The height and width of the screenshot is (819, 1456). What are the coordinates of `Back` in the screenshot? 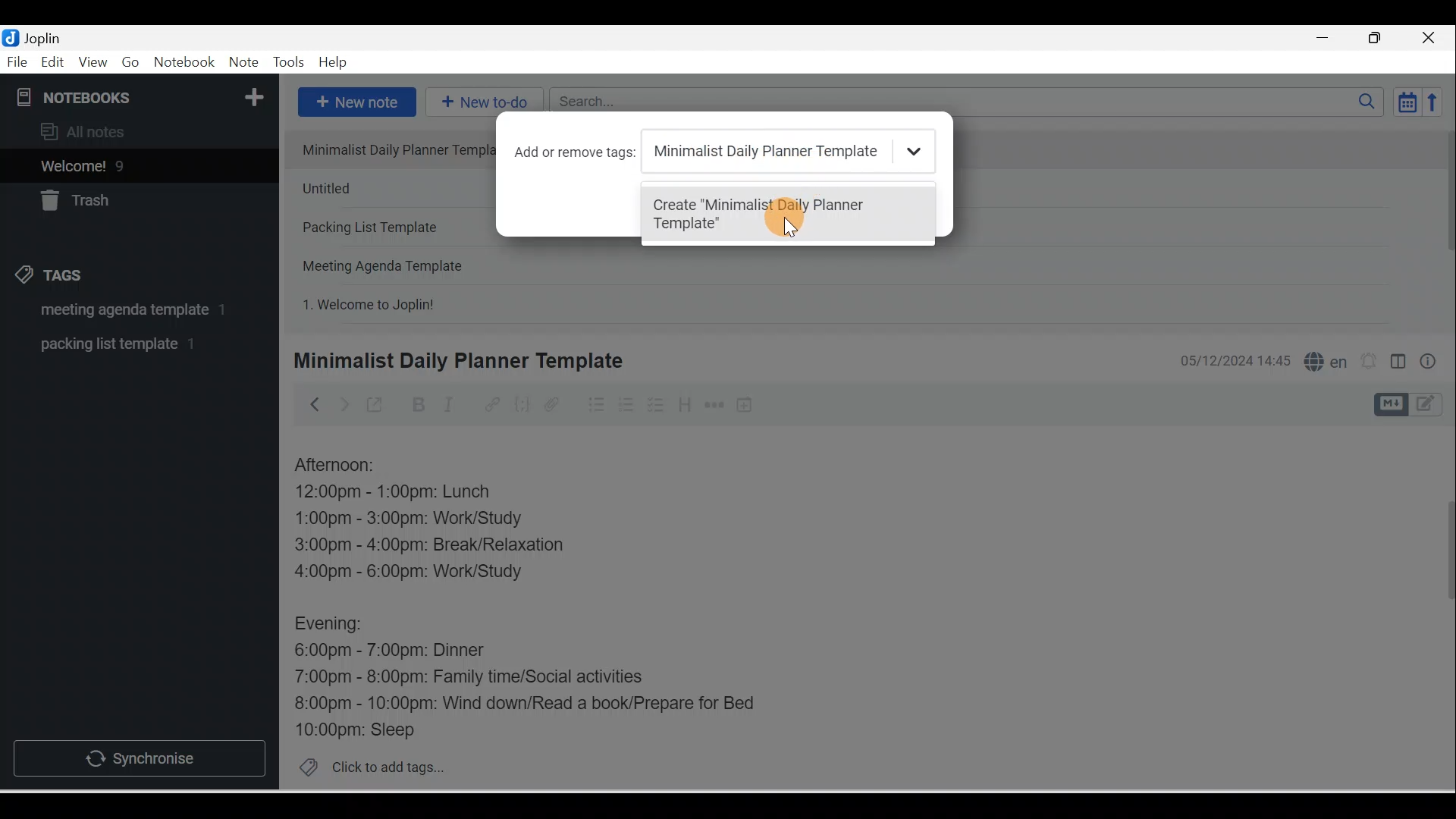 It's located at (308, 404).